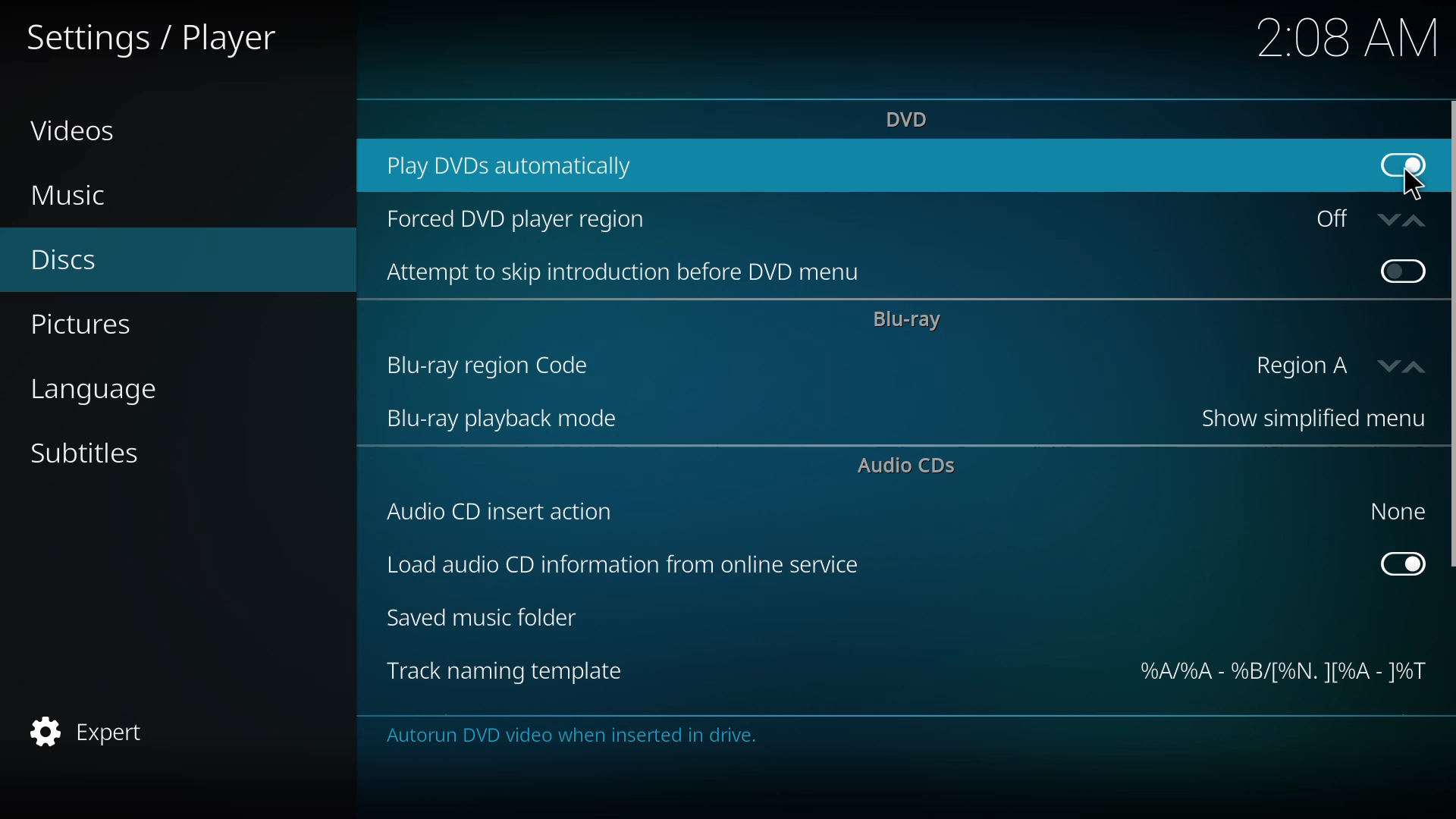 This screenshot has width=1456, height=819. Describe the element at coordinates (74, 130) in the screenshot. I see `videos` at that location.